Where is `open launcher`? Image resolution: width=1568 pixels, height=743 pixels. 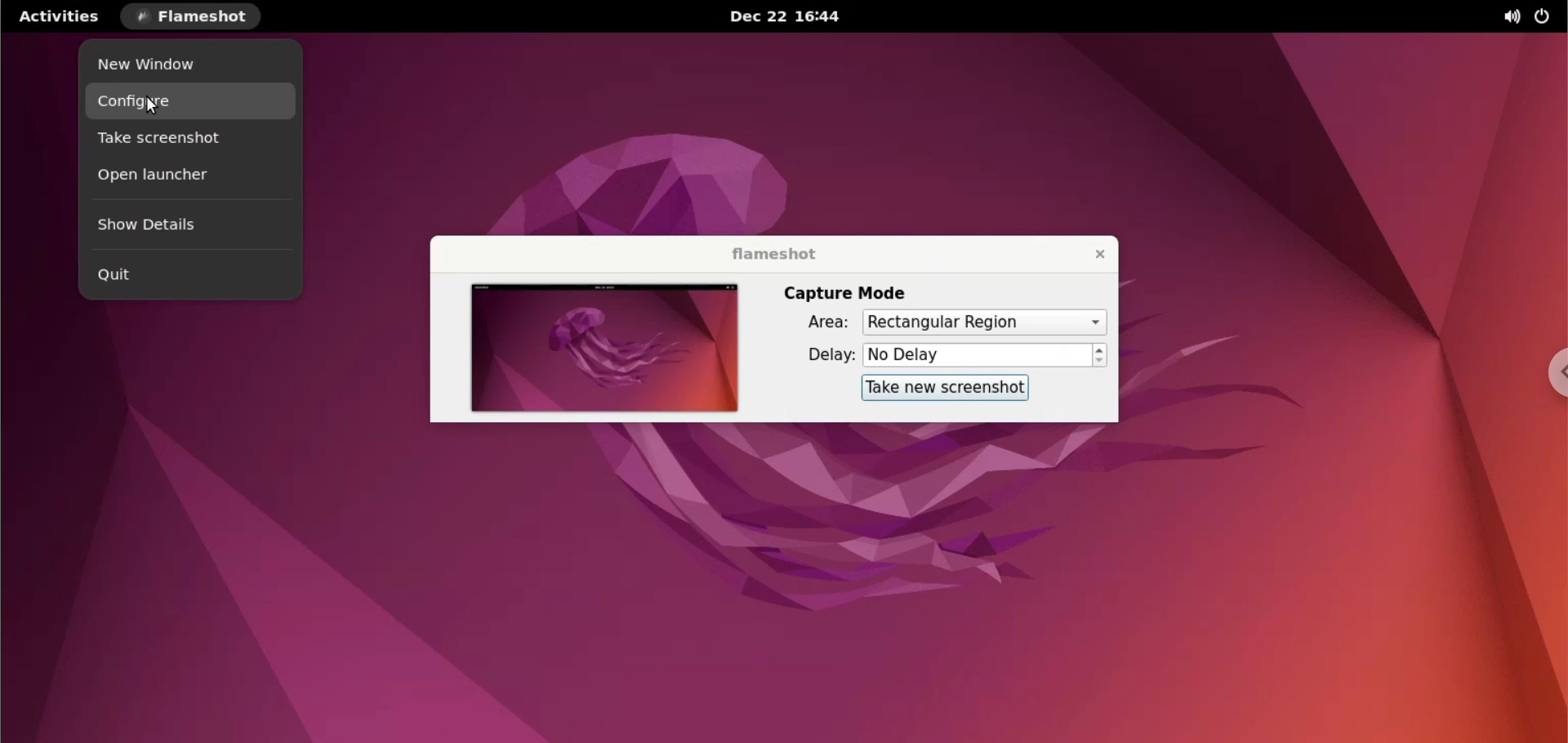
open launcher is located at coordinates (194, 175).